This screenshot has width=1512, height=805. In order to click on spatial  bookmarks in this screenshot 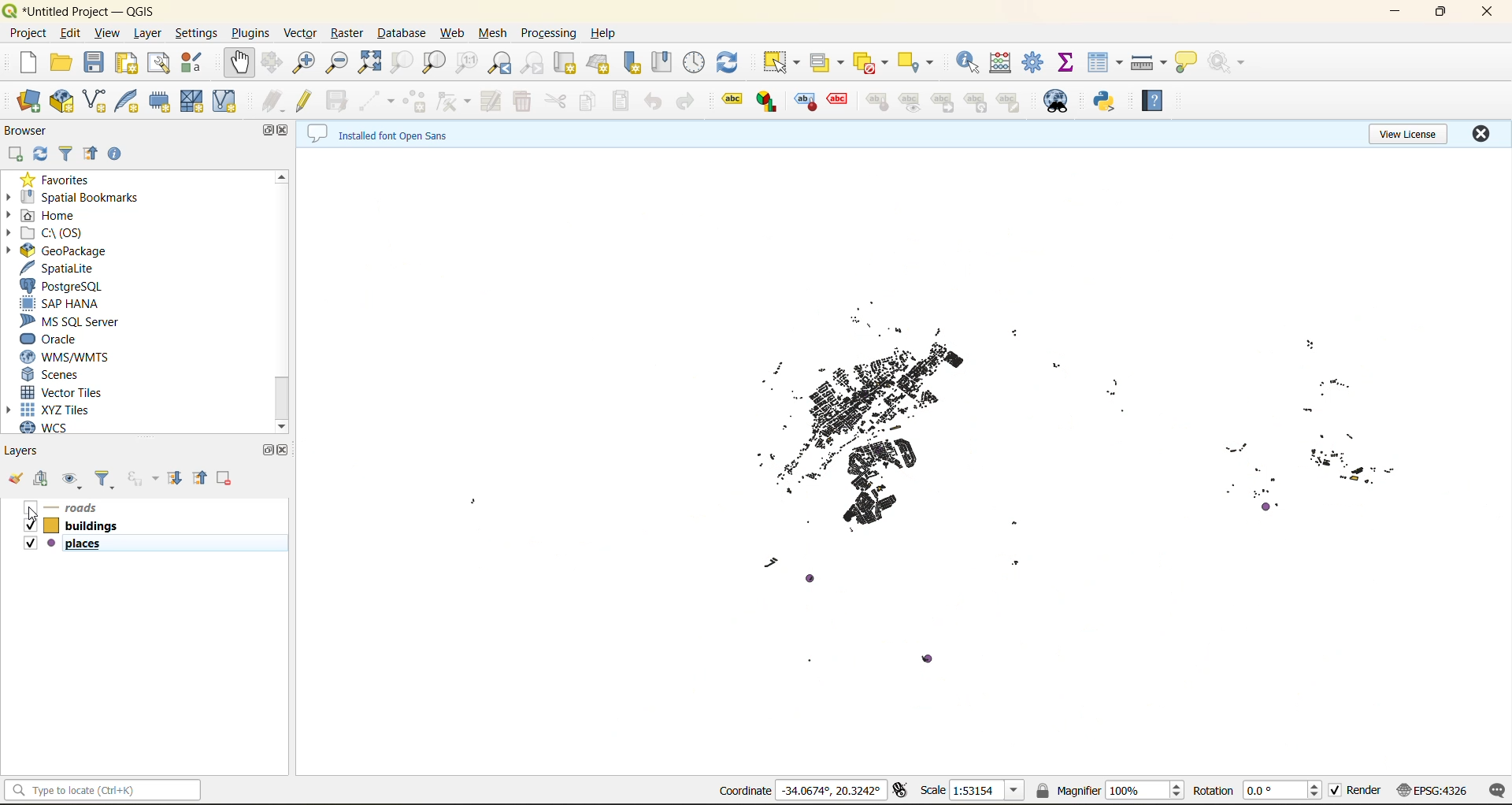, I will do `click(84, 199)`.